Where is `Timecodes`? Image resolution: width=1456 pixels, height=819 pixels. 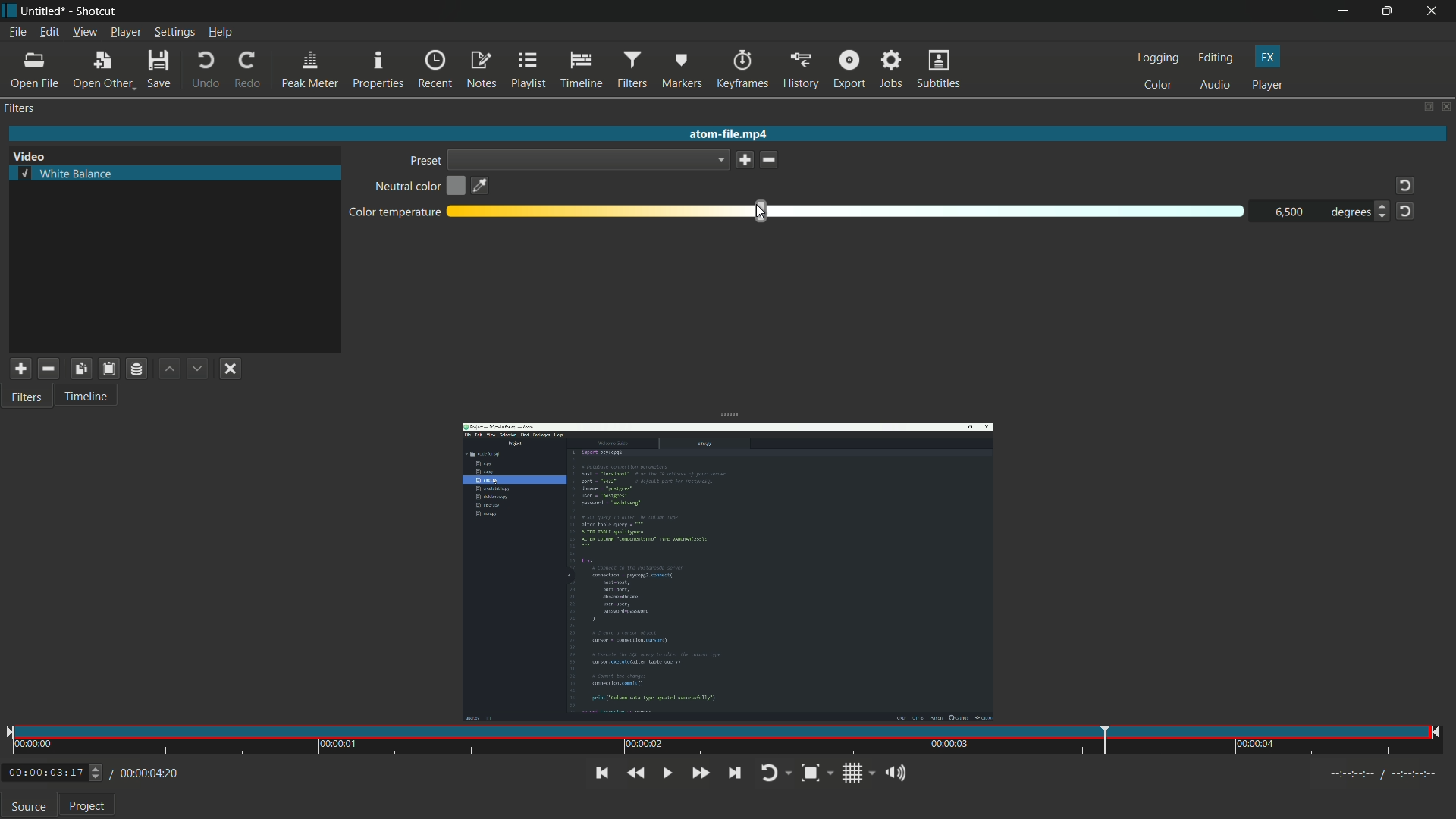 Timecodes is located at coordinates (1373, 773).